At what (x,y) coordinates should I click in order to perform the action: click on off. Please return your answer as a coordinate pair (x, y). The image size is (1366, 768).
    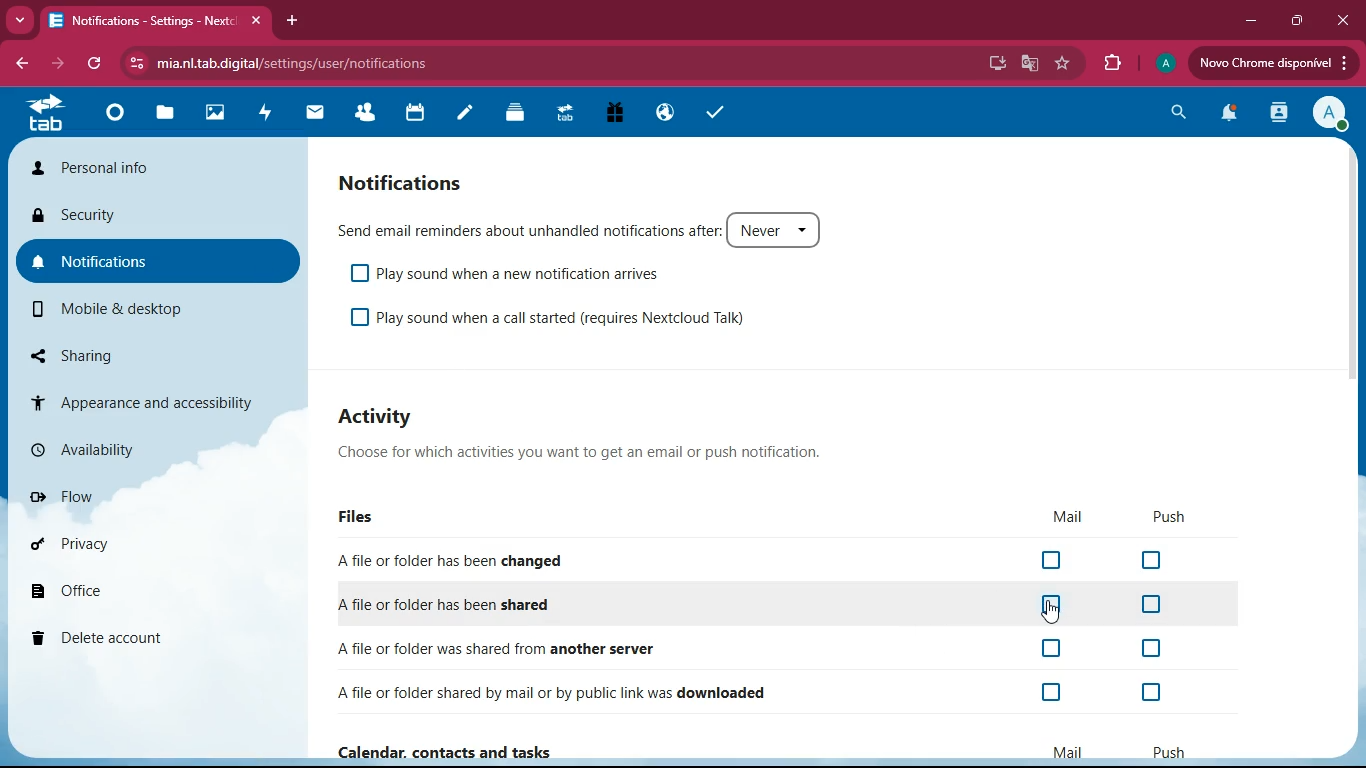
    Looking at the image, I should click on (1154, 693).